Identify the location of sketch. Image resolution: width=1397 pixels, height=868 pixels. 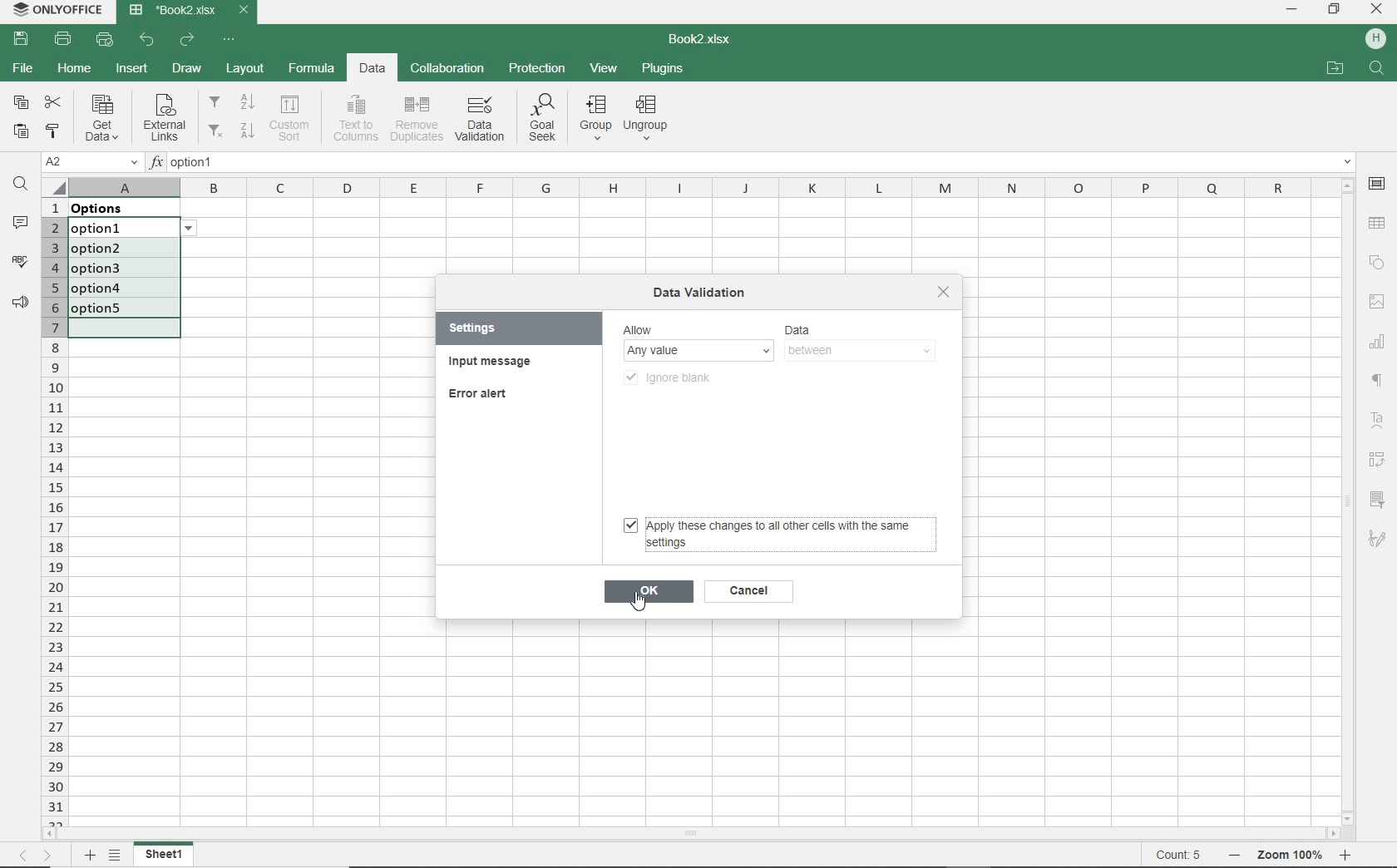
(1380, 540).